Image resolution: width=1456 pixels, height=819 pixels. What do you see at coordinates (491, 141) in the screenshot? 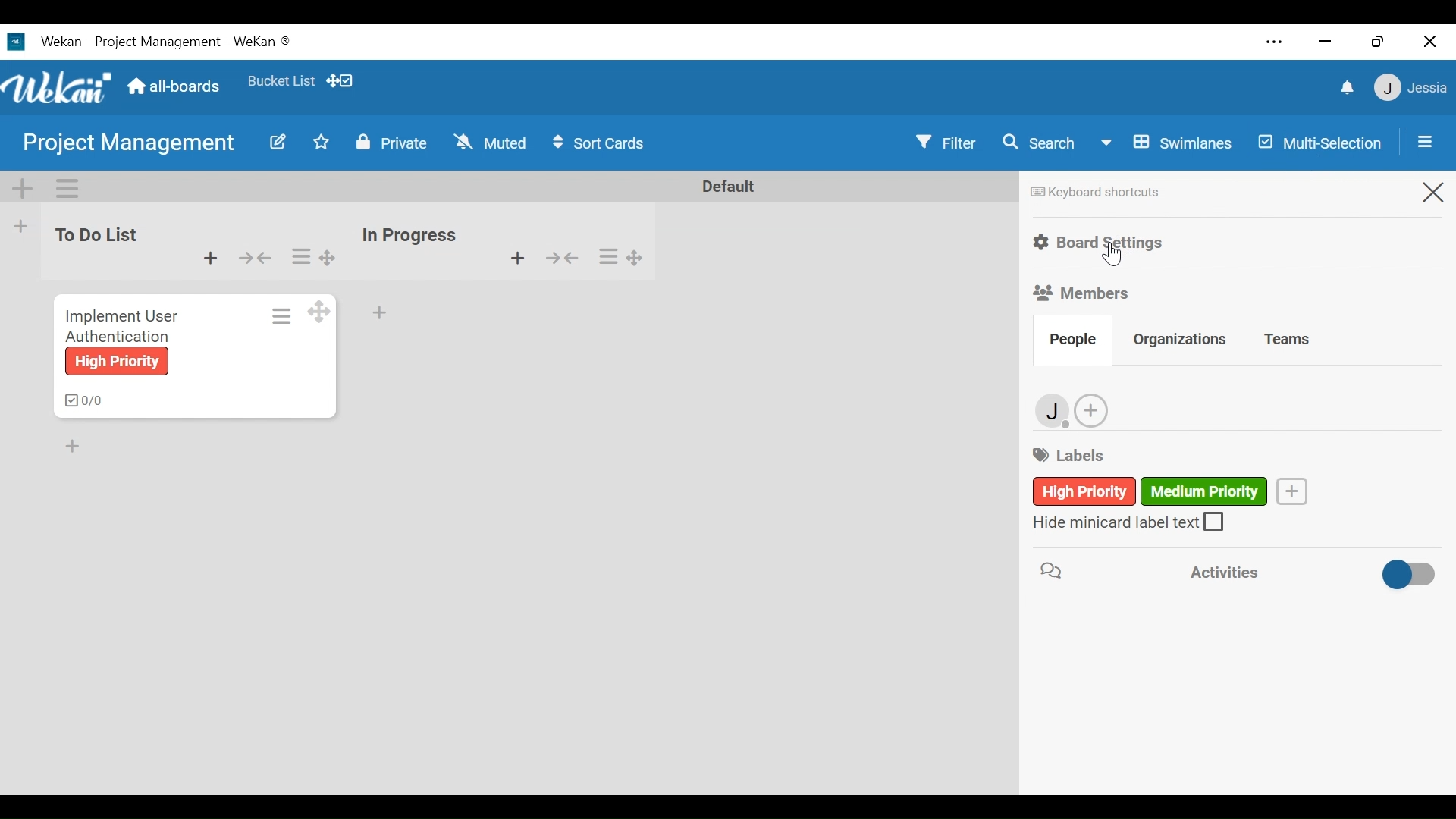
I see `Change Watch` at bounding box center [491, 141].